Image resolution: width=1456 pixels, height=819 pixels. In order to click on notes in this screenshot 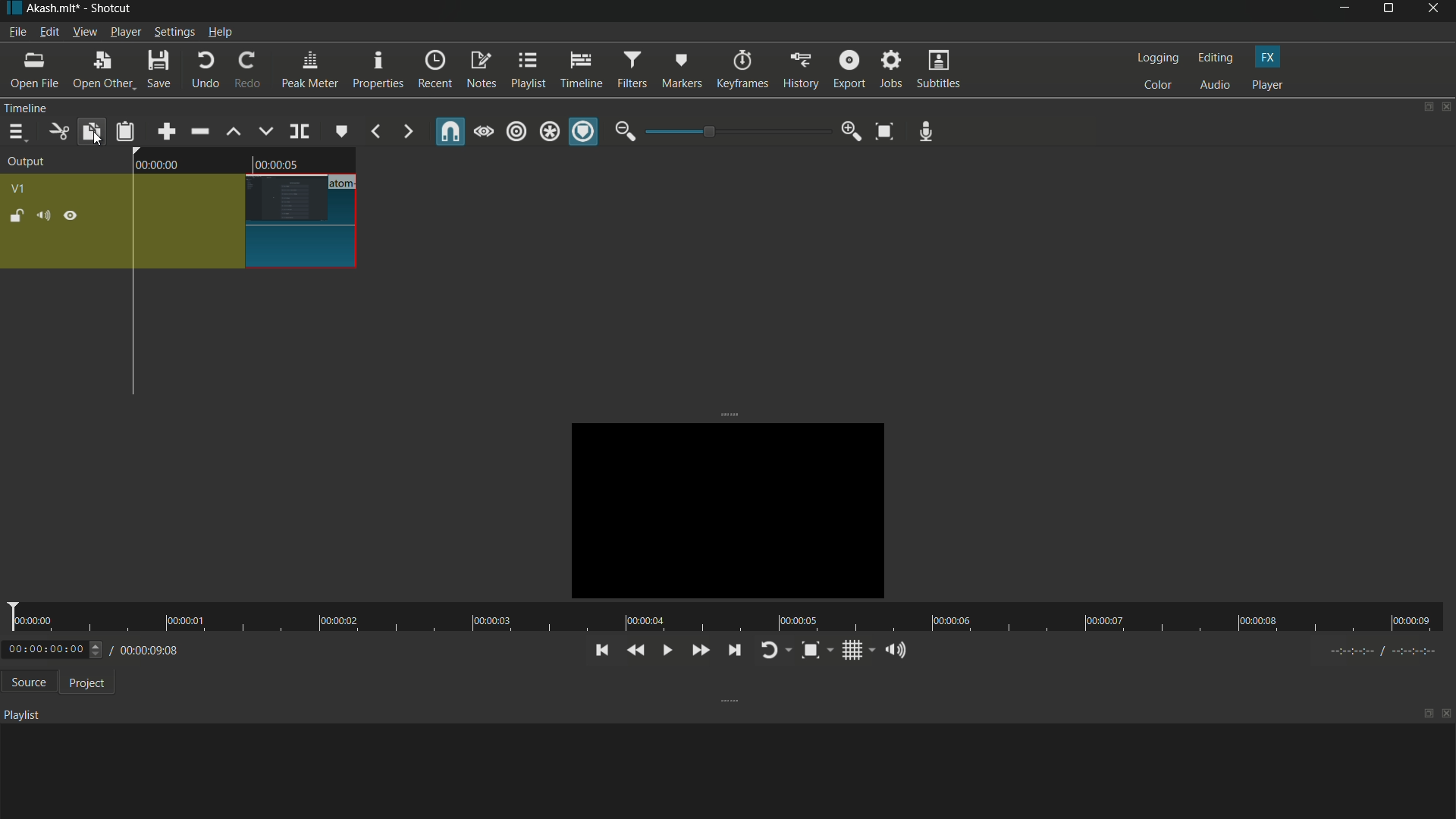, I will do `click(482, 71)`.